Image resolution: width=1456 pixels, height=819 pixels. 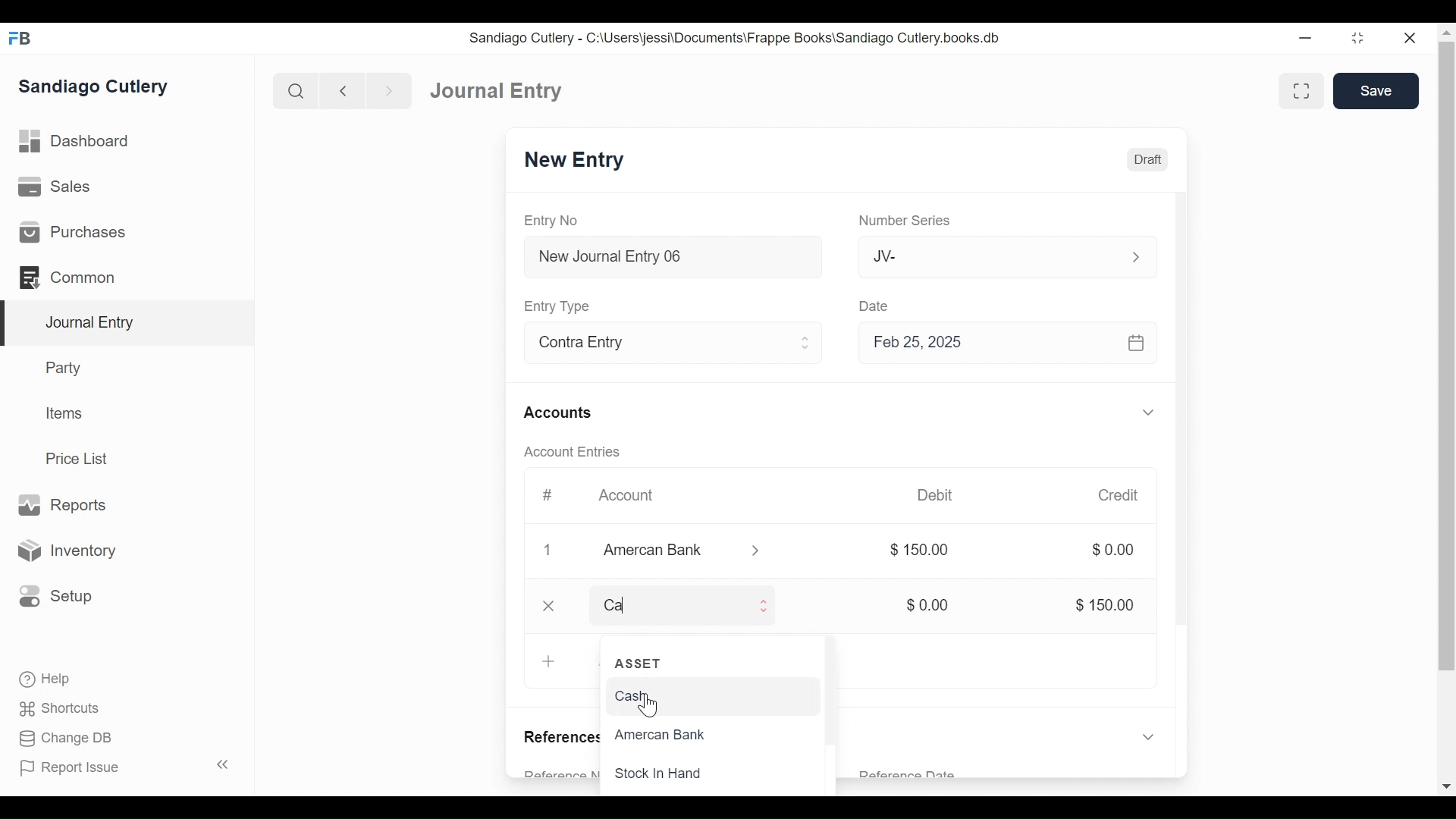 I want to click on JV-, so click(x=990, y=255).